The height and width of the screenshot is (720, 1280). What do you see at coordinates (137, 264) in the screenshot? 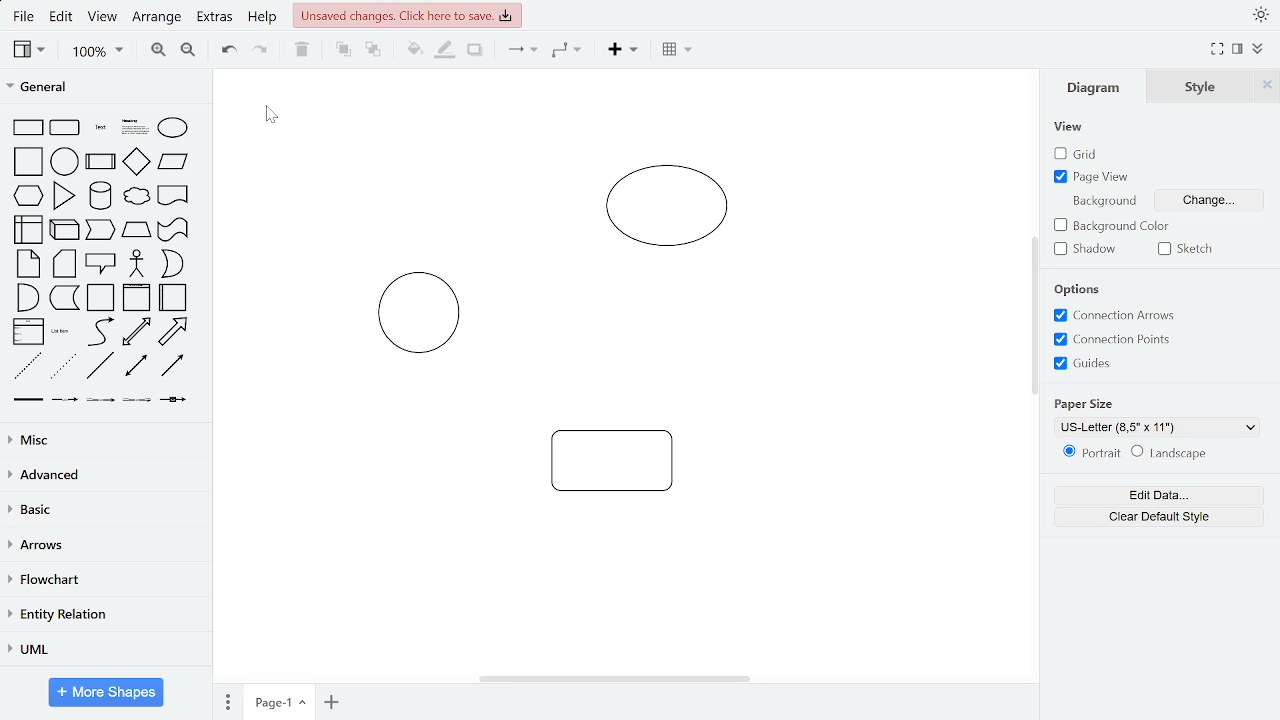
I see `actor` at bounding box center [137, 264].